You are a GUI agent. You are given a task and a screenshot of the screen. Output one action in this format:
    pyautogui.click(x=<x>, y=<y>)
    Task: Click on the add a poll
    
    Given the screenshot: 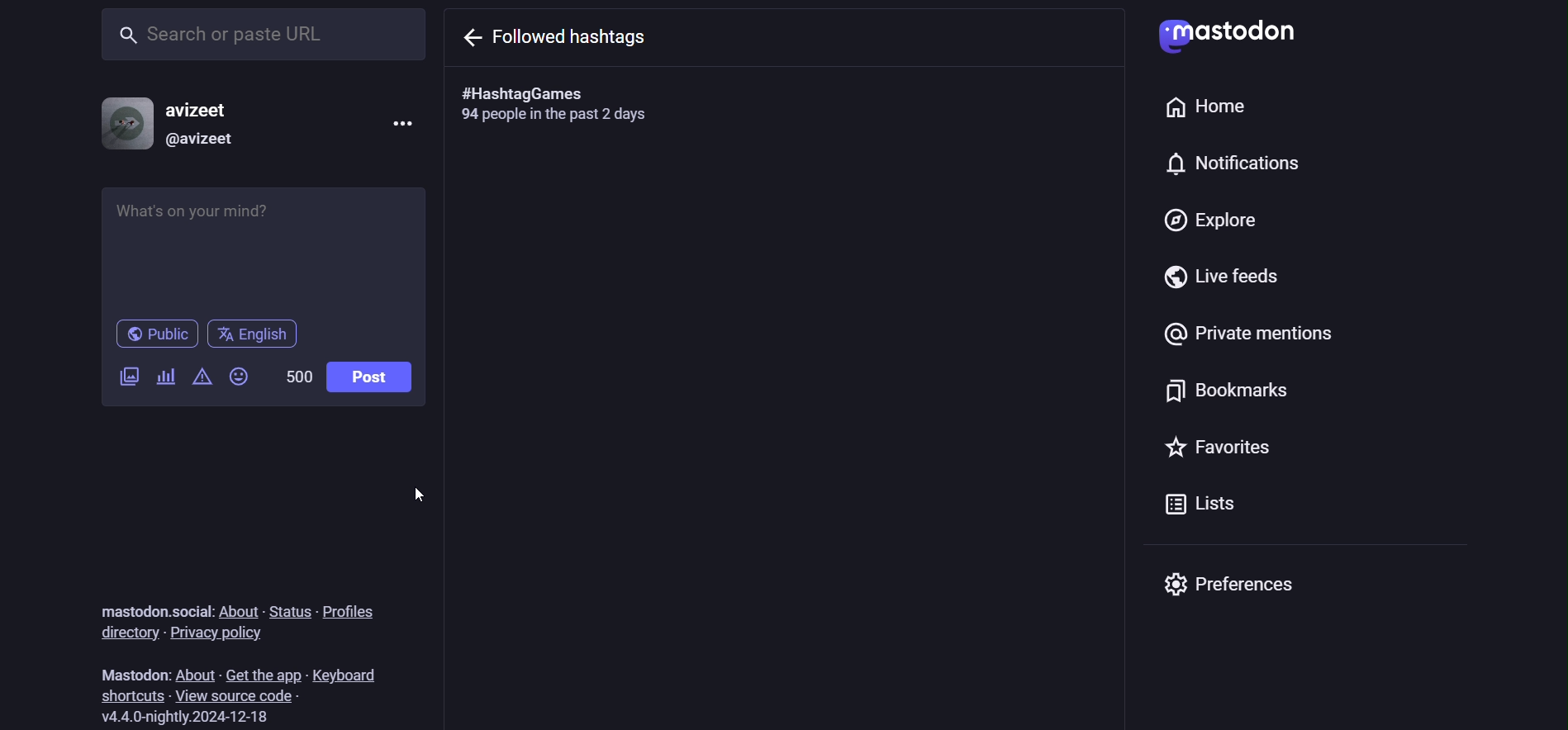 What is the action you would take?
    pyautogui.click(x=164, y=380)
    